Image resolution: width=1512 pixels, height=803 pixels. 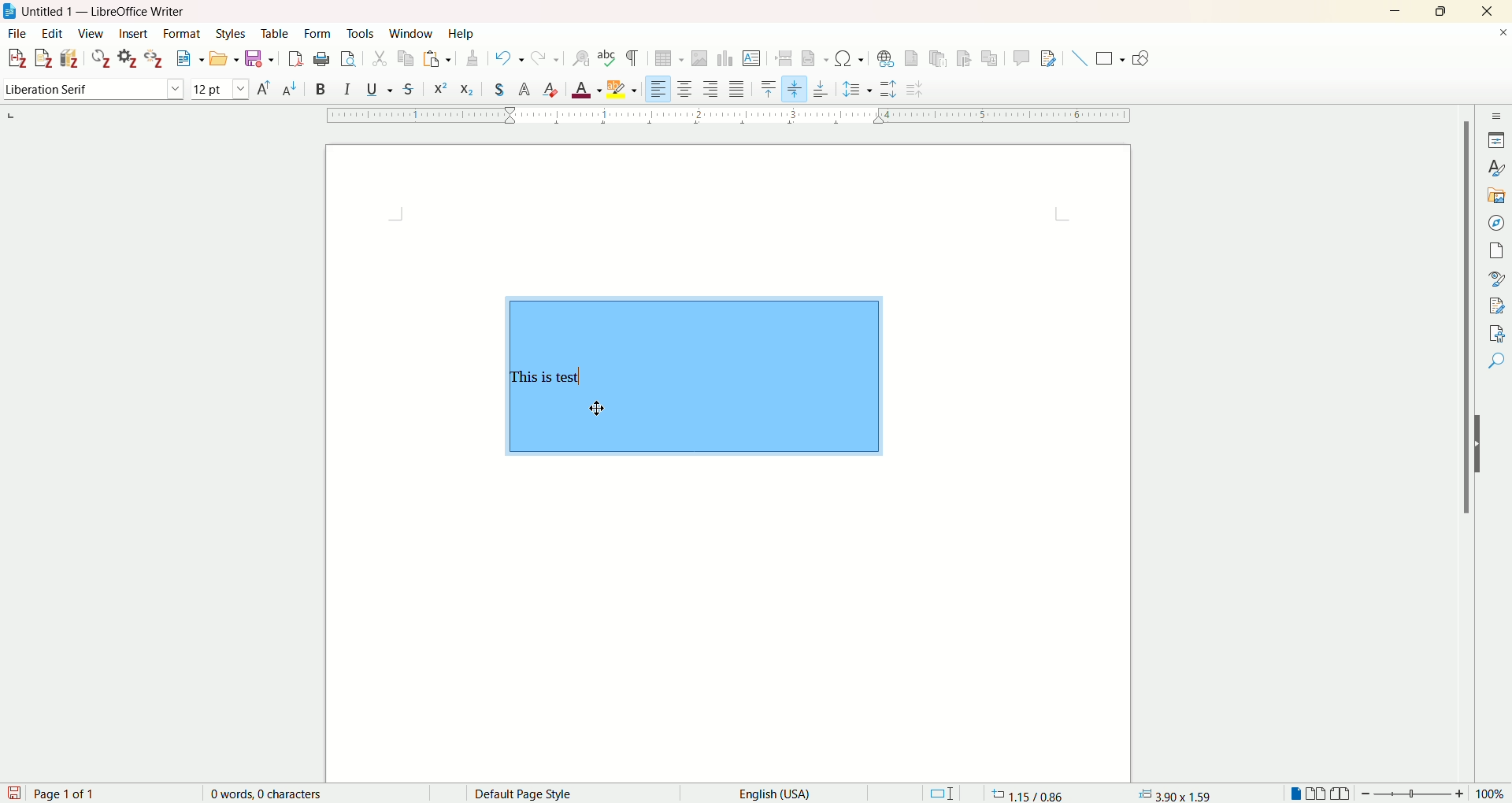 What do you see at coordinates (434, 88) in the screenshot?
I see `arrowheads for lines` at bounding box center [434, 88].